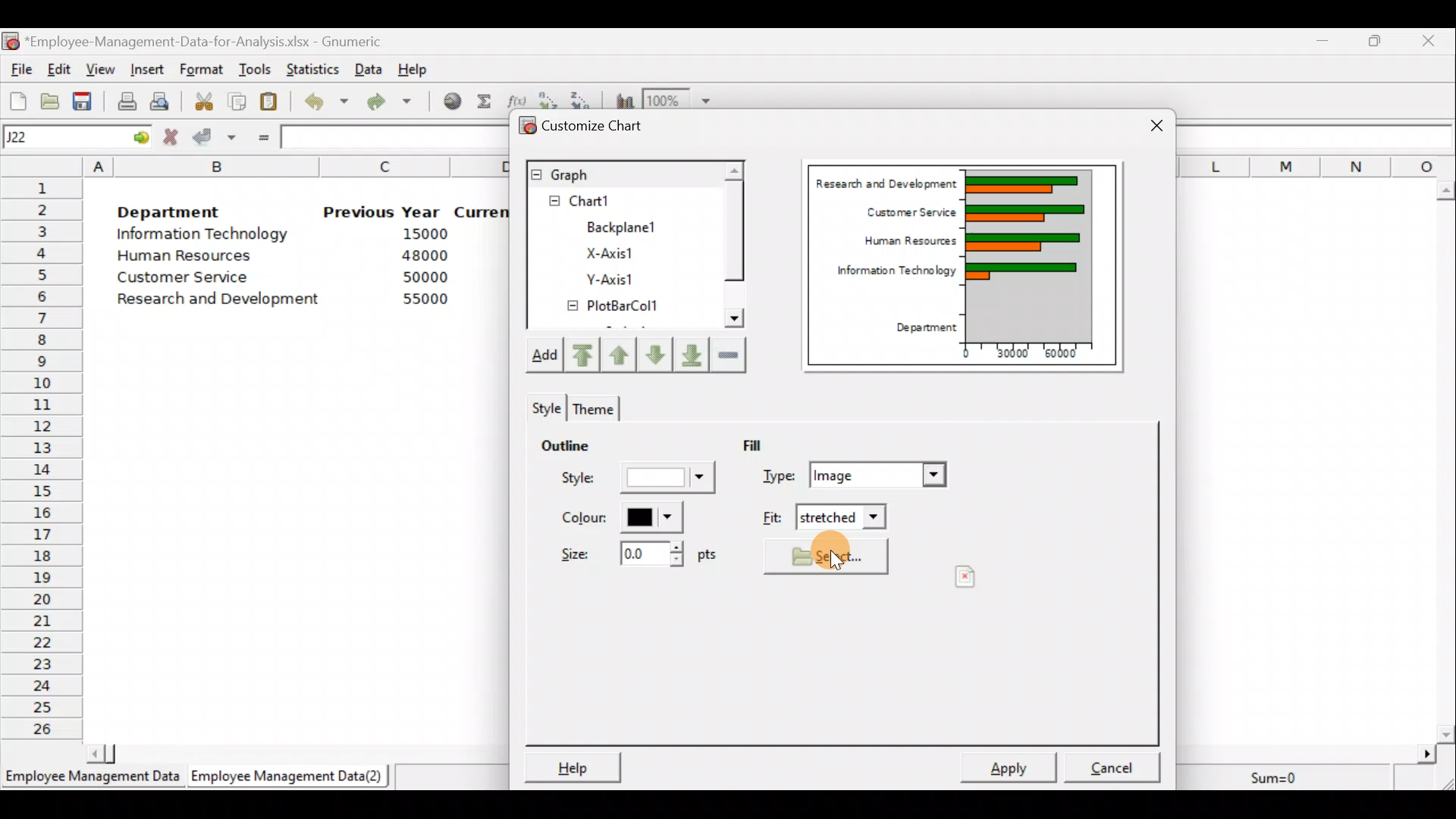  Describe the element at coordinates (161, 101) in the screenshot. I see `Print preview` at that location.